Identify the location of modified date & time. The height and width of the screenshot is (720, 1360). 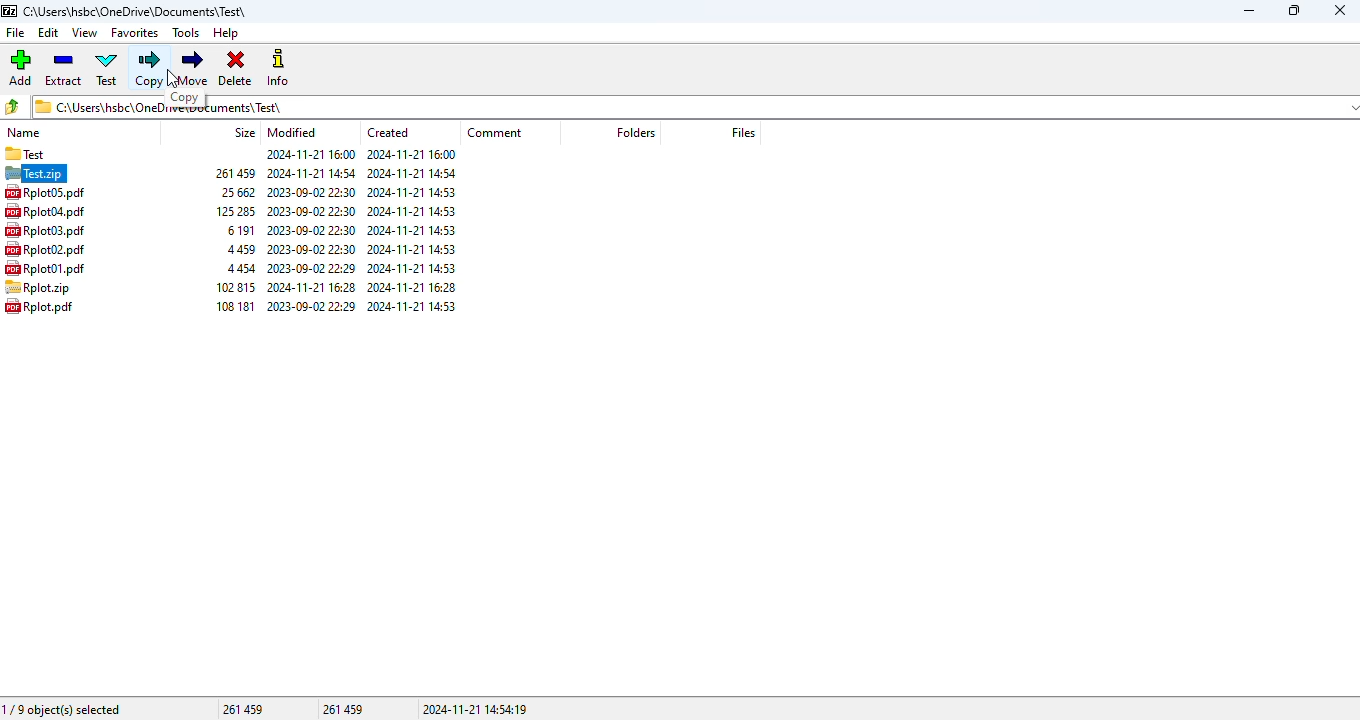
(311, 268).